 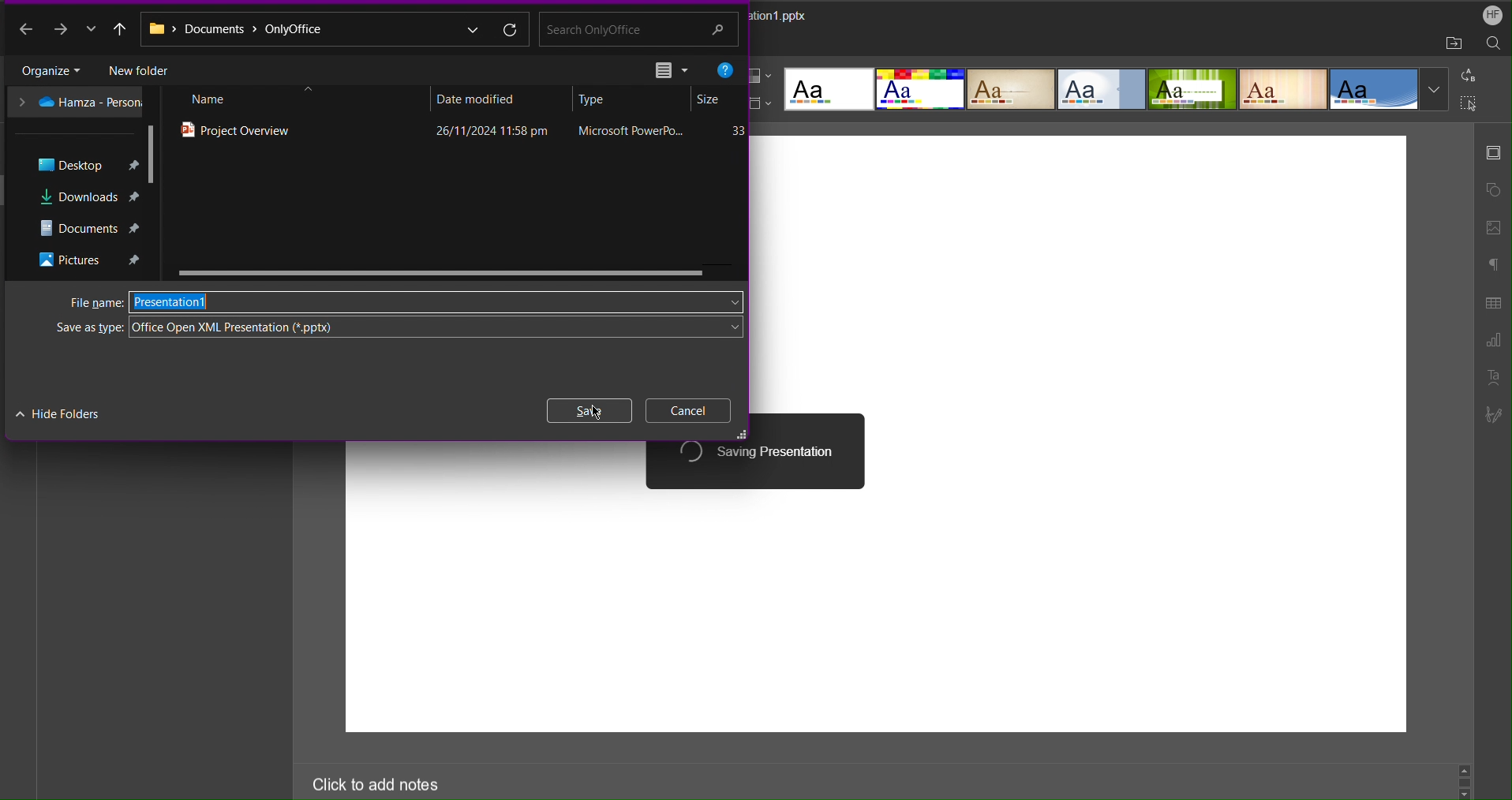 I want to click on go down, so click(x=1465, y=794).